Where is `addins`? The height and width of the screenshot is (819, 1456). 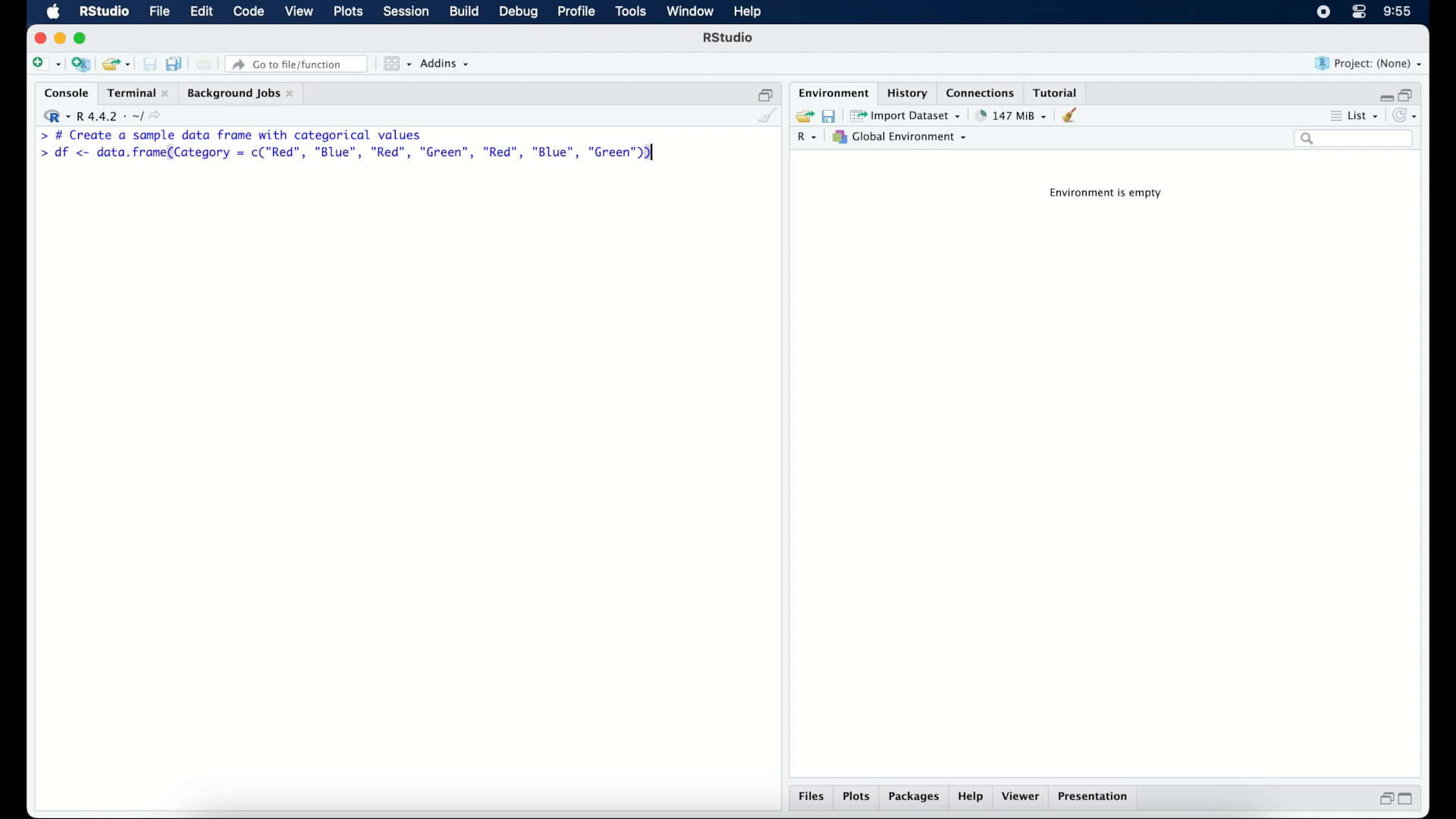
addins is located at coordinates (447, 64).